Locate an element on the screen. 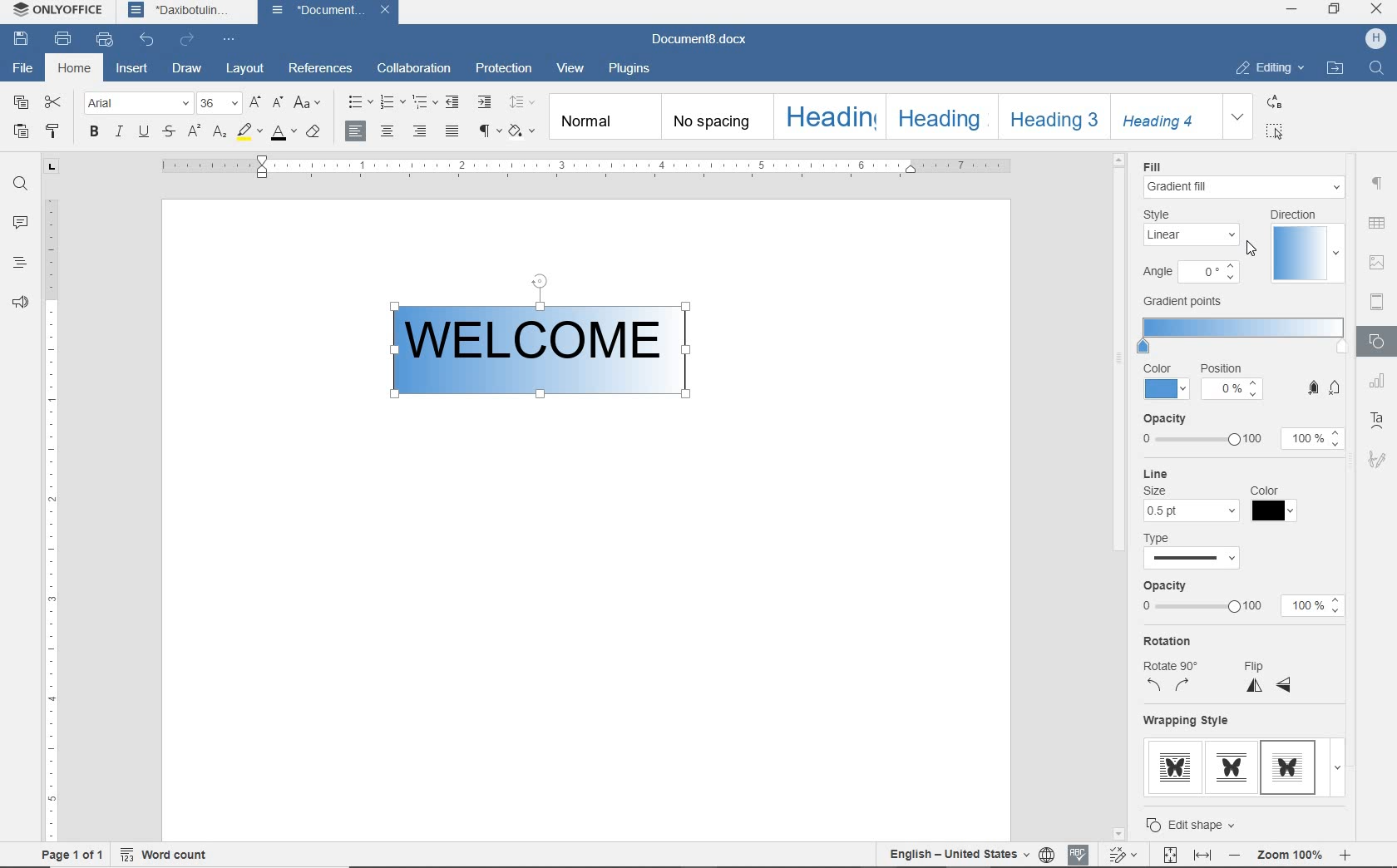 The image size is (1397, 868). Angle is located at coordinates (1155, 273).